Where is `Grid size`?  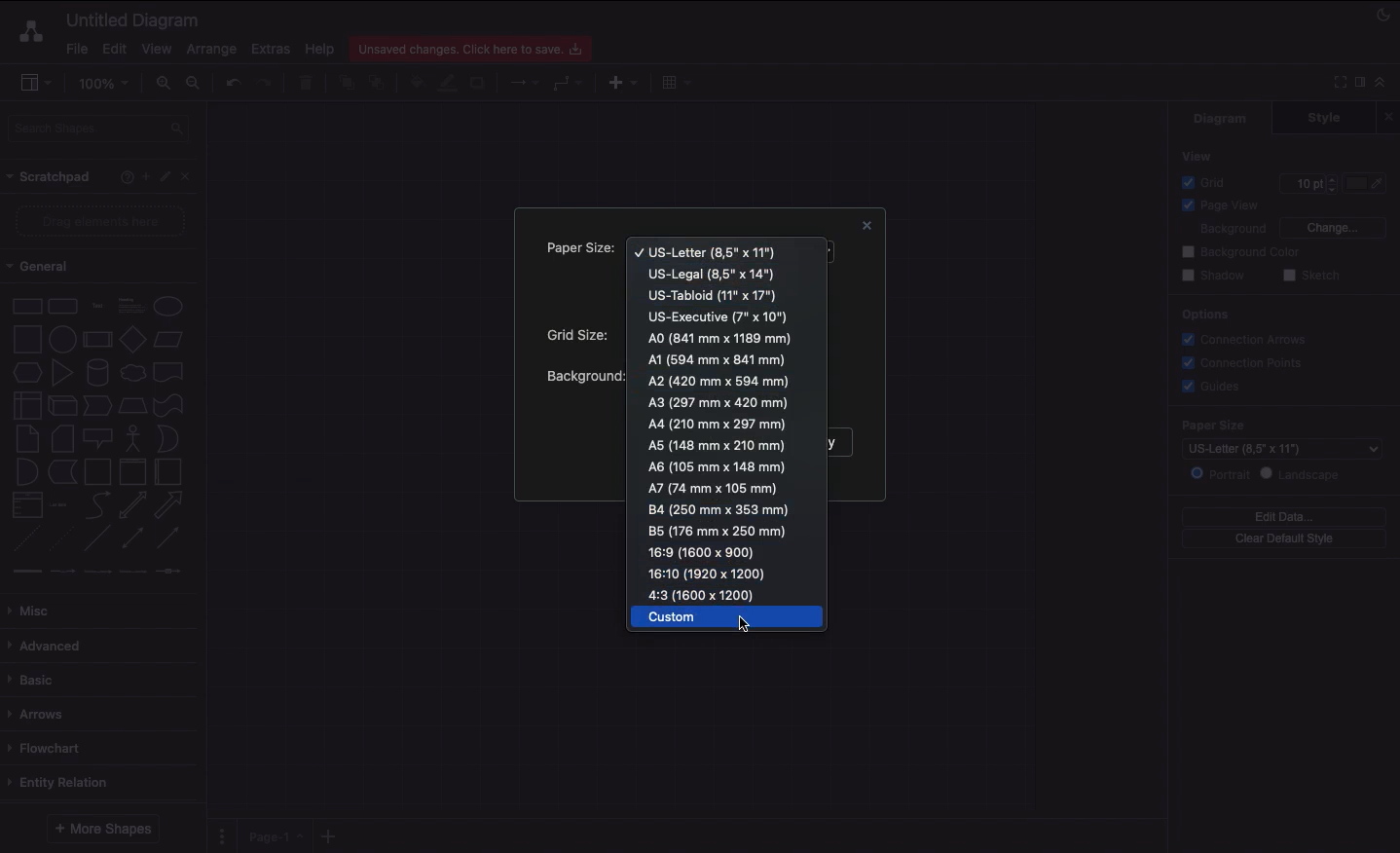 Grid size is located at coordinates (583, 335).